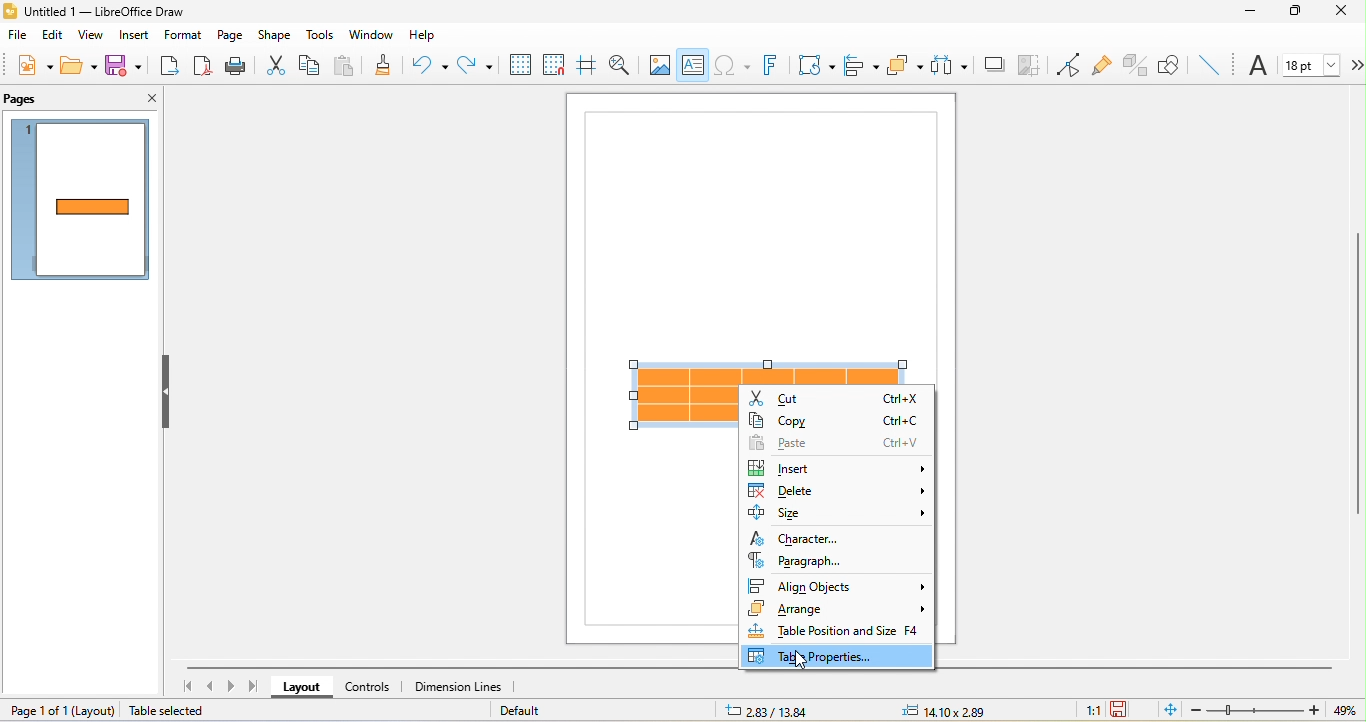  I want to click on close, so click(150, 97).